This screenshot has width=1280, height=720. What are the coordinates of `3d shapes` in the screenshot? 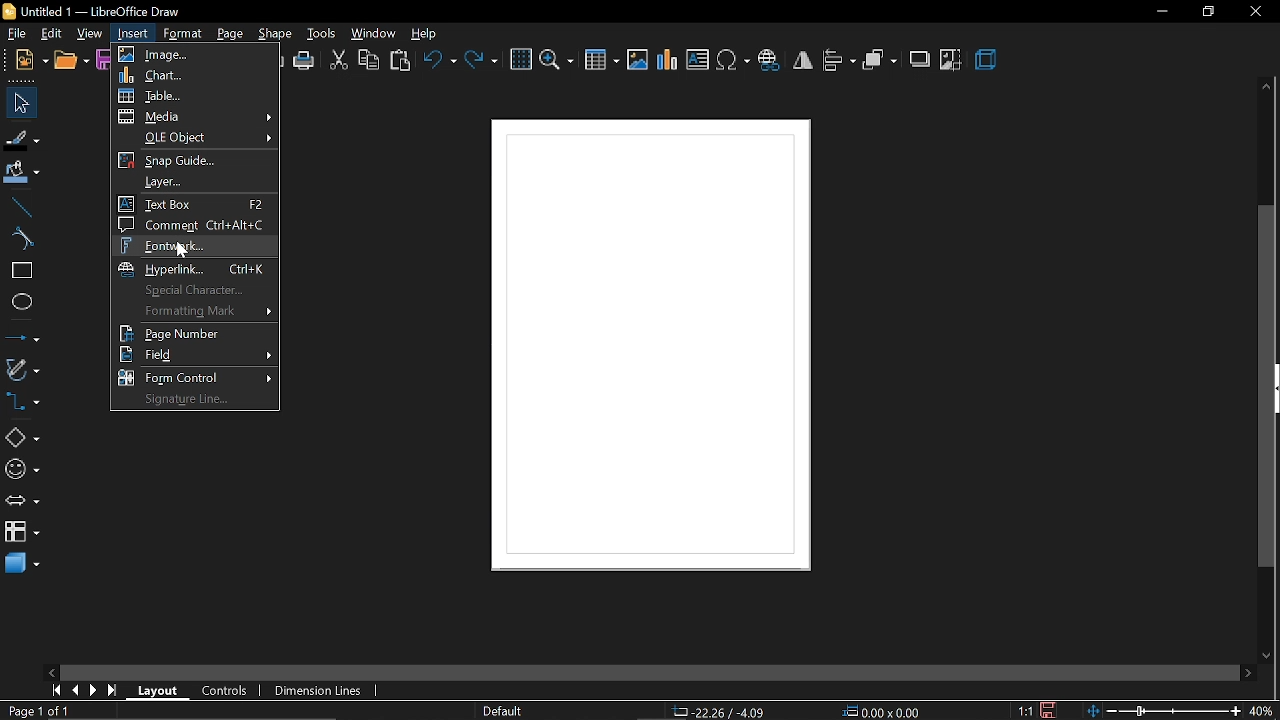 It's located at (20, 565).